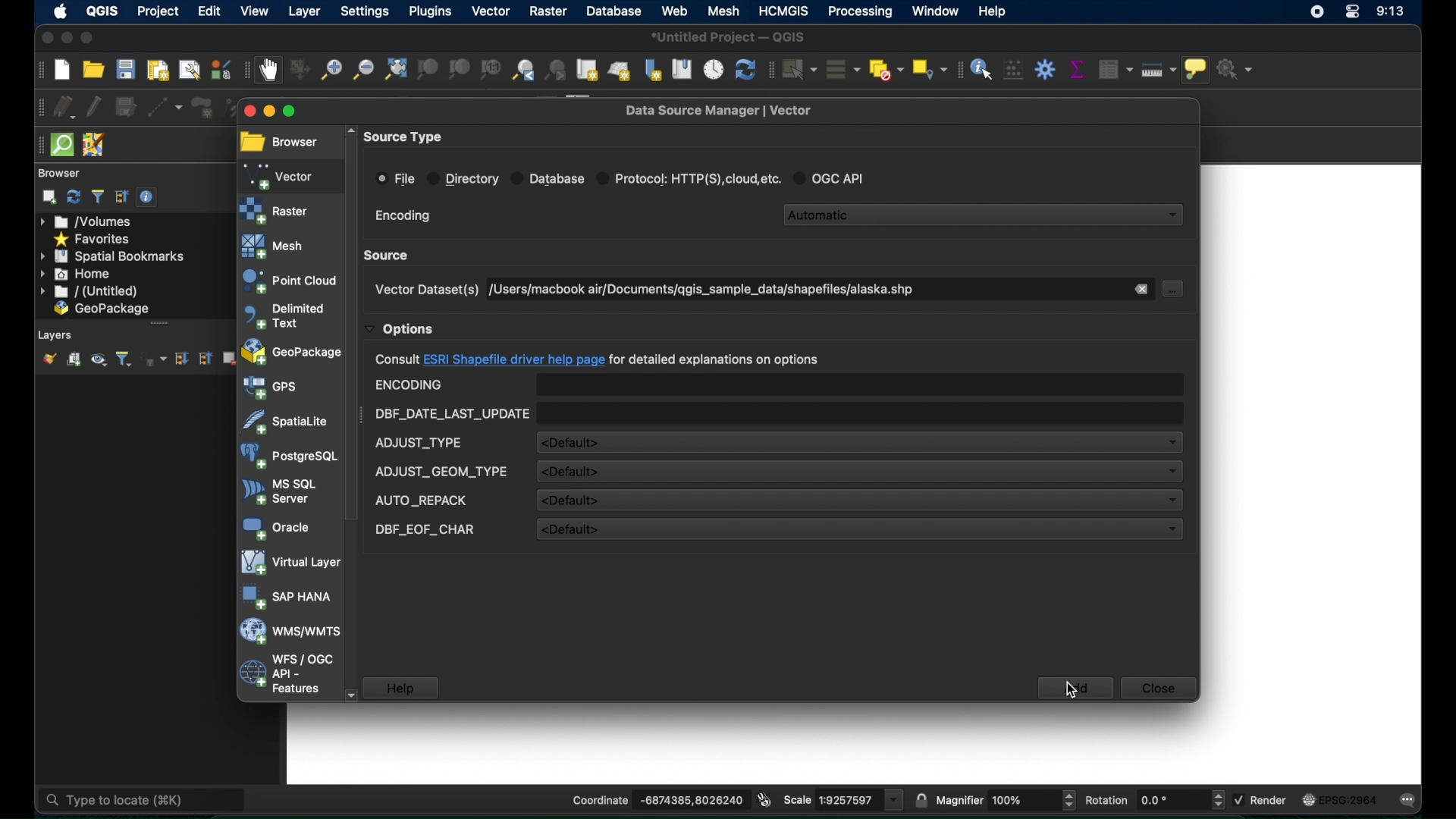  Describe the element at coordinates (490, 11) in the screenshot. I see `vector` at that location.